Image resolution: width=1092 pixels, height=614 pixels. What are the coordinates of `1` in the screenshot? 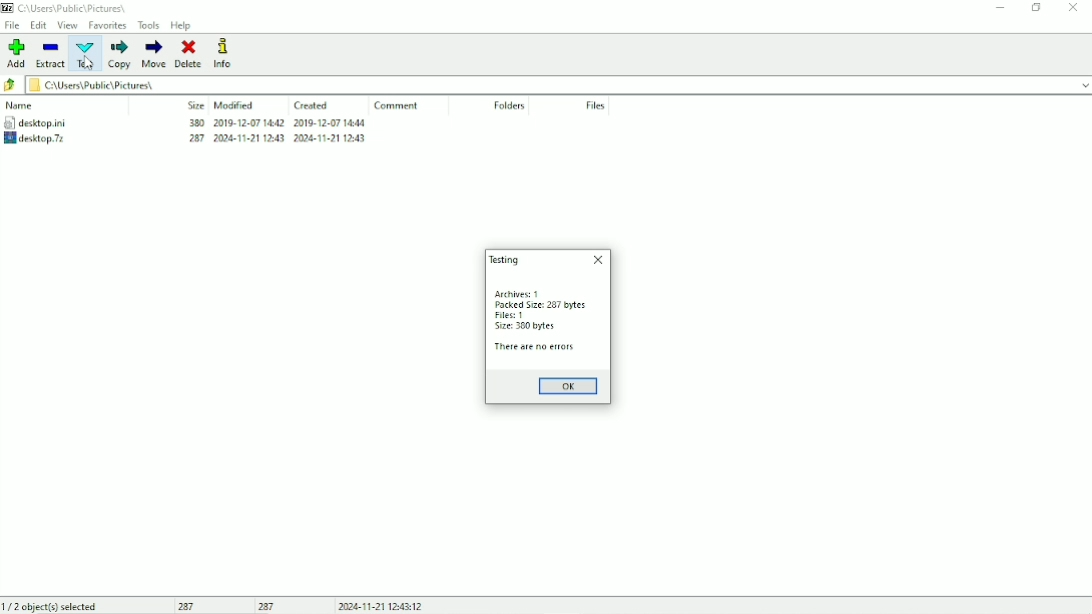 It's located at (539, 294).